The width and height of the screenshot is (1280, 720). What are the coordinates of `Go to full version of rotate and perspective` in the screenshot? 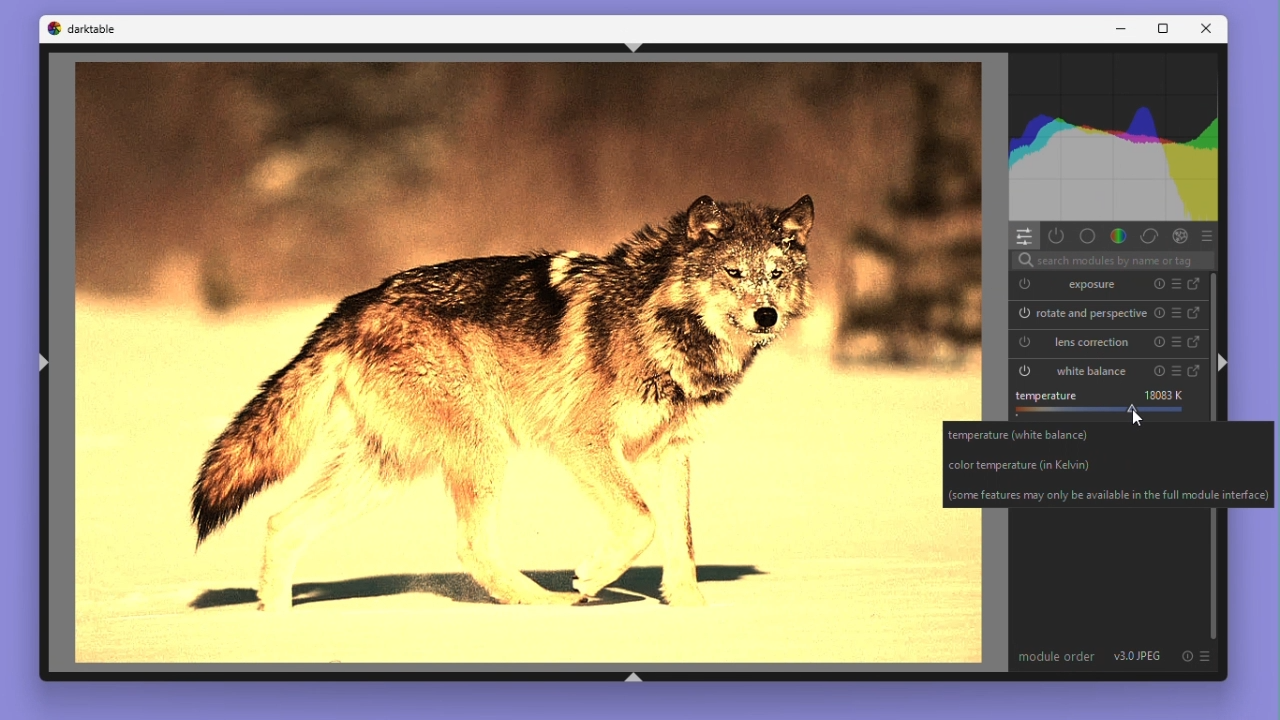 It's located at (1197, 314).